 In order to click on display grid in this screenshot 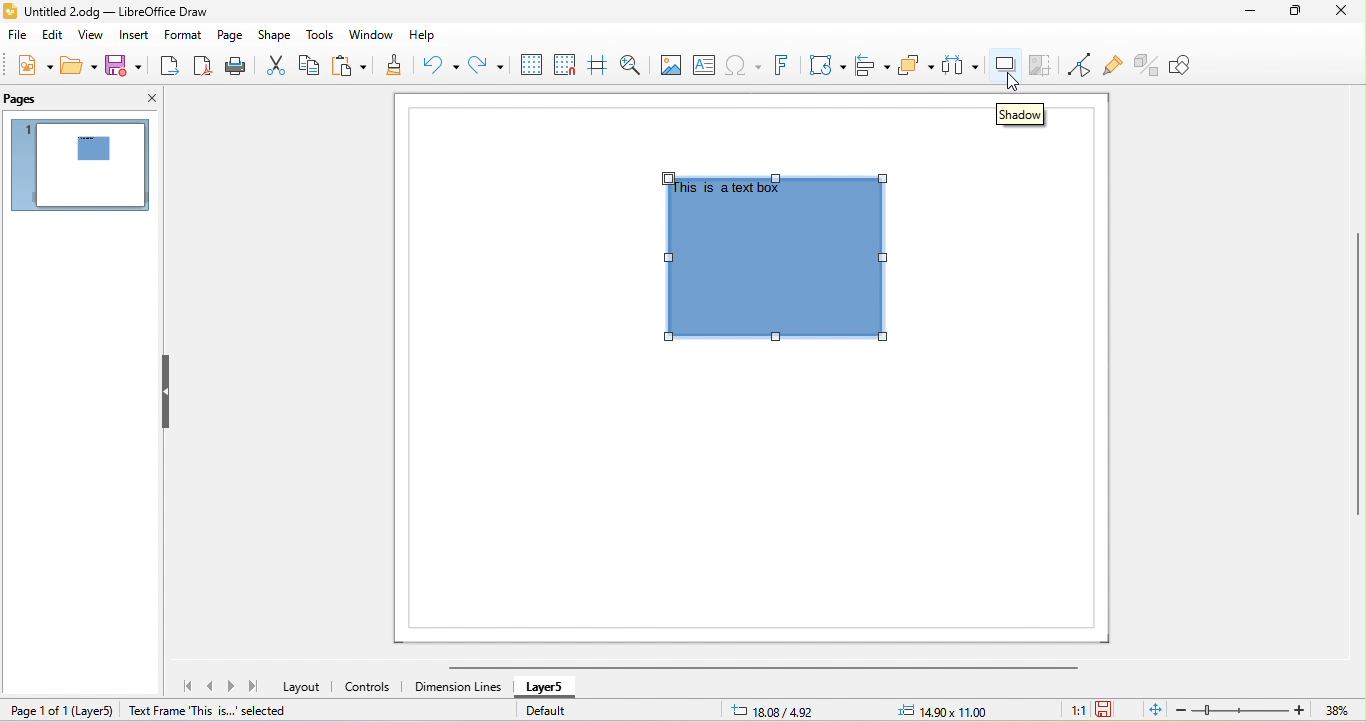, I will do `click(532, 64)`.